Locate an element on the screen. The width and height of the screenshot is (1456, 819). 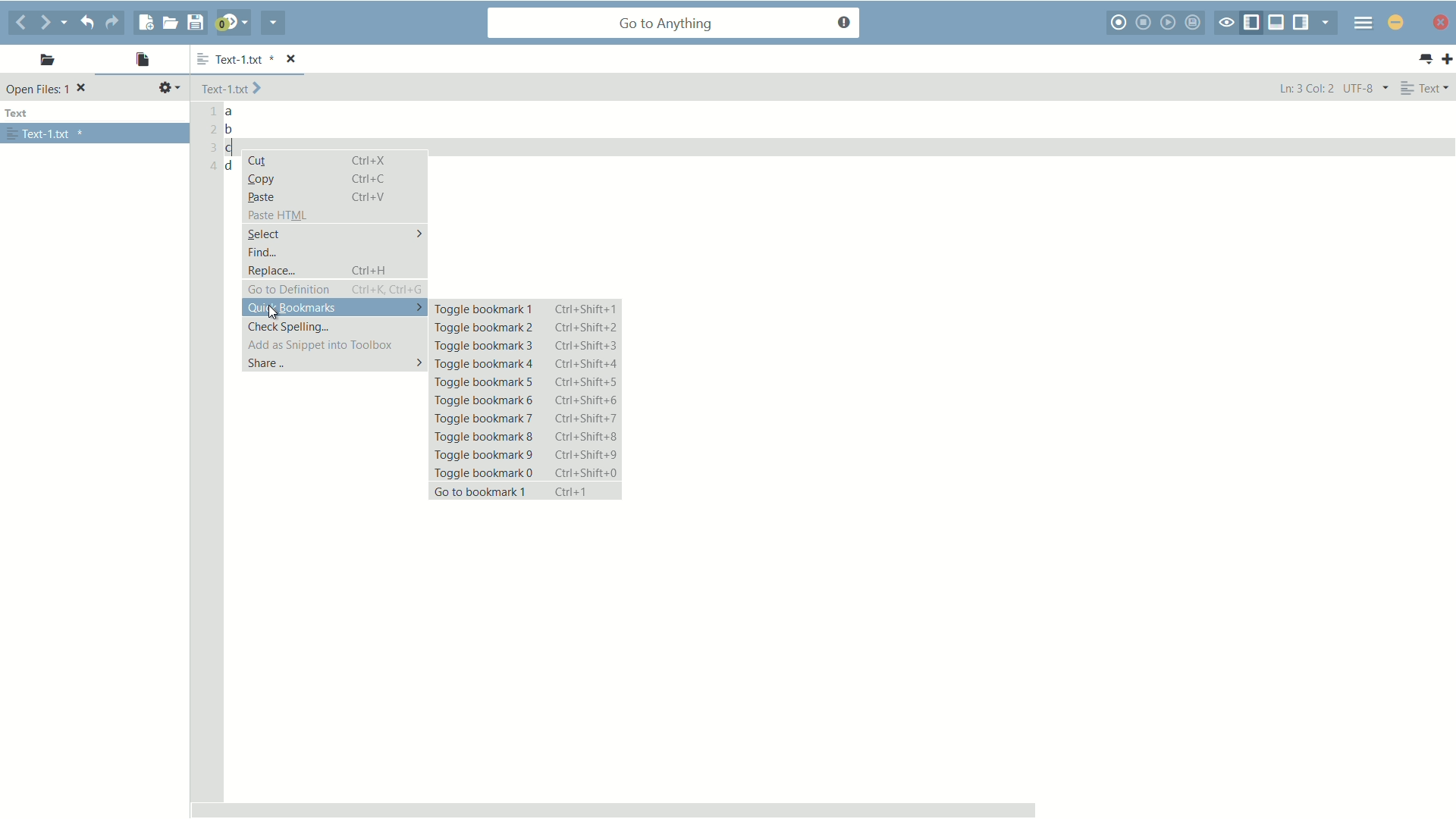
show/hide bottom pane is located at coordinates (1276, 22).